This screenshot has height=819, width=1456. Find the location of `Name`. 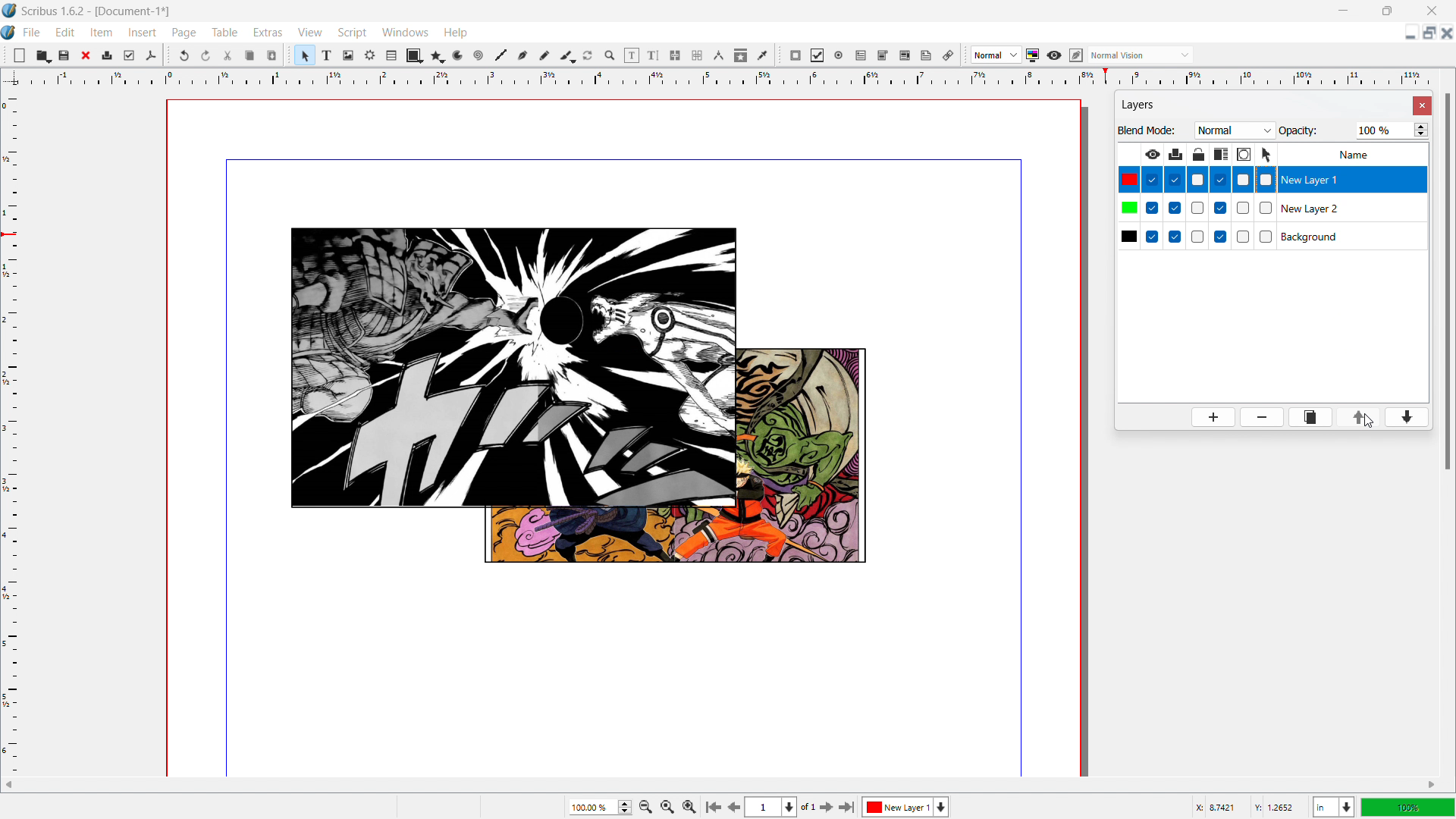

Name is located at coordinates (1355, 155).